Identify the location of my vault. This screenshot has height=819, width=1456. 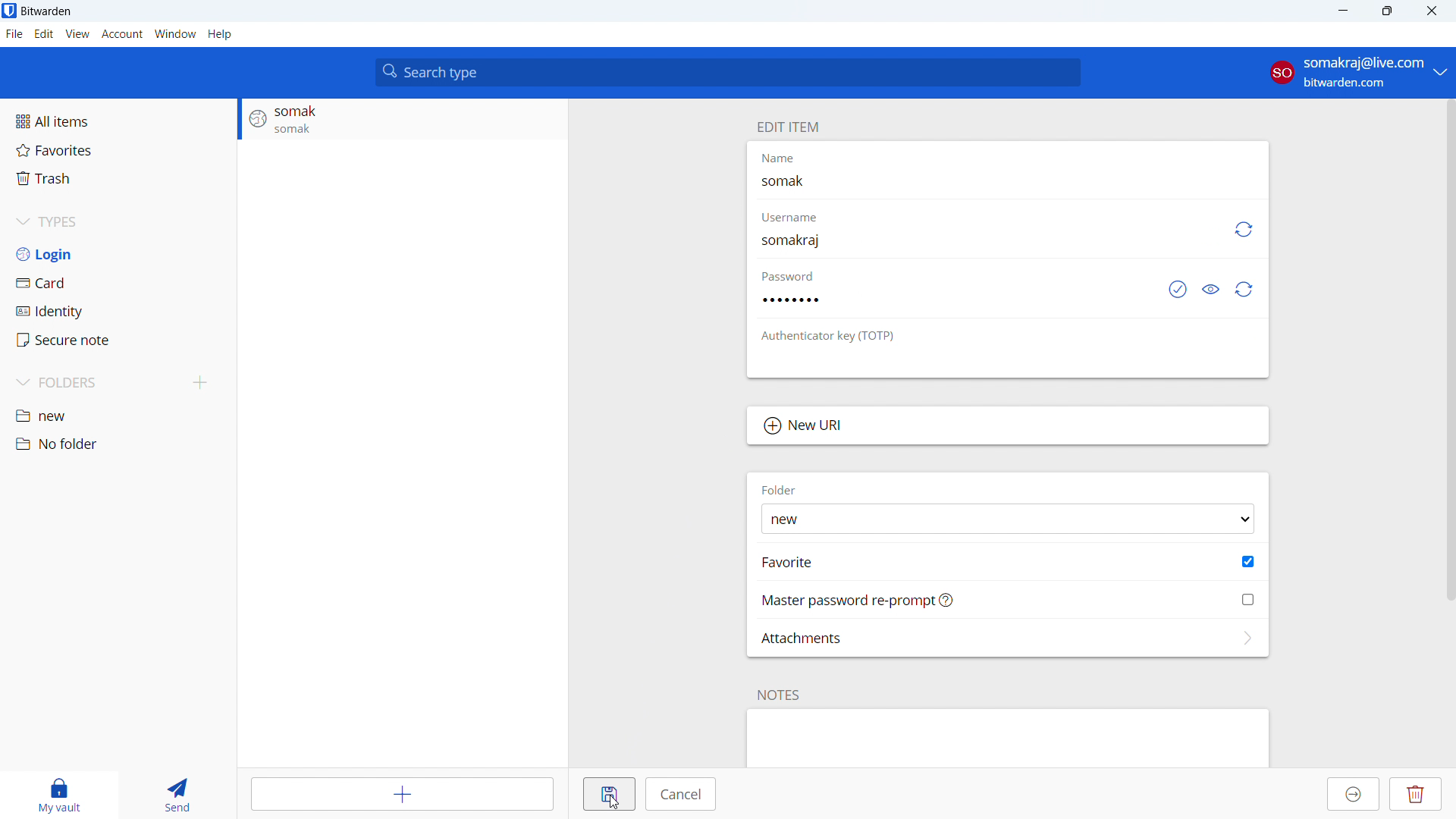
(60, 795).